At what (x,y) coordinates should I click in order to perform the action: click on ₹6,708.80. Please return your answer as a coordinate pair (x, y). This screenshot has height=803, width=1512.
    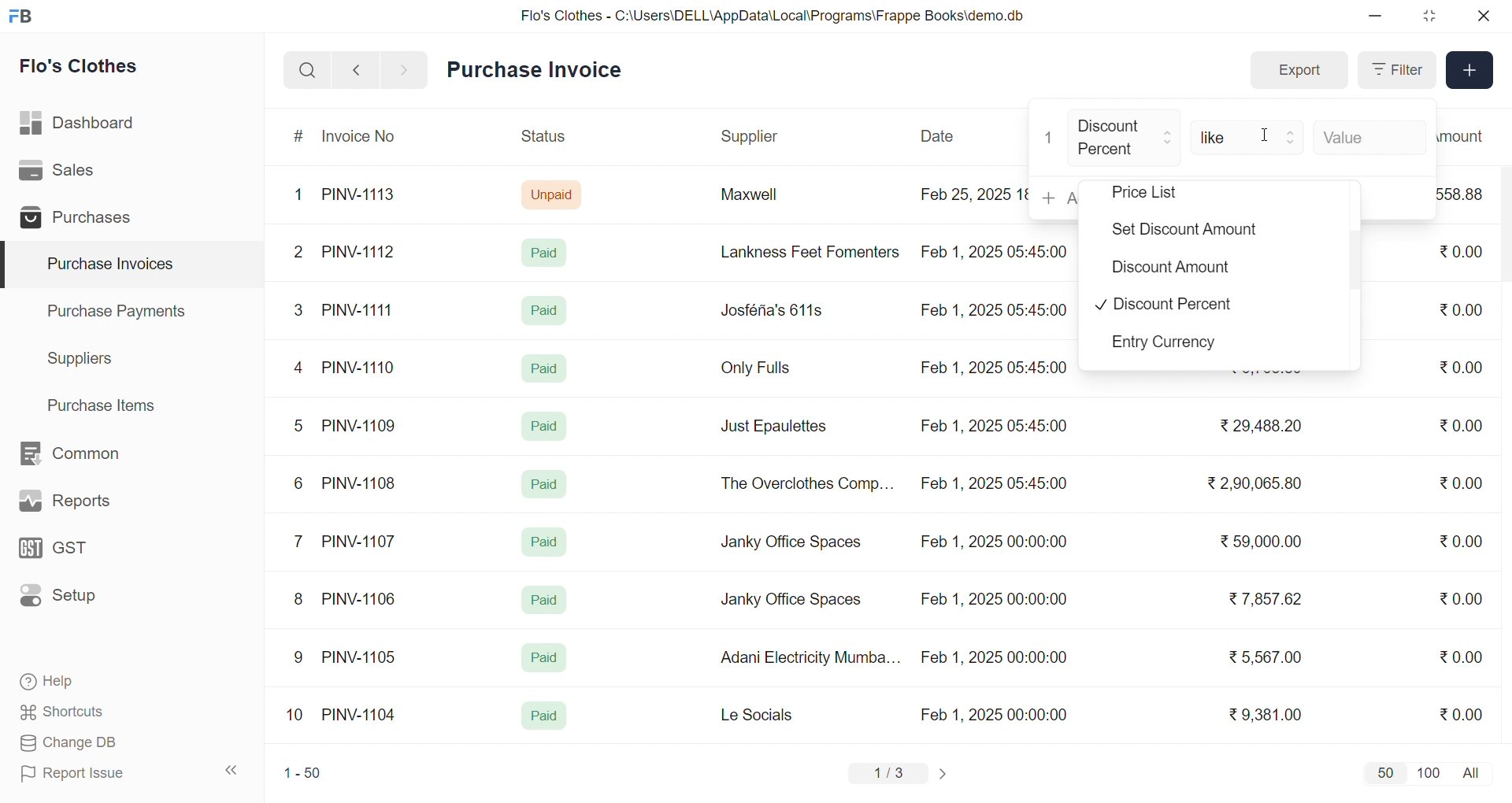
    Looking at the image, I should click on (1265, 372).